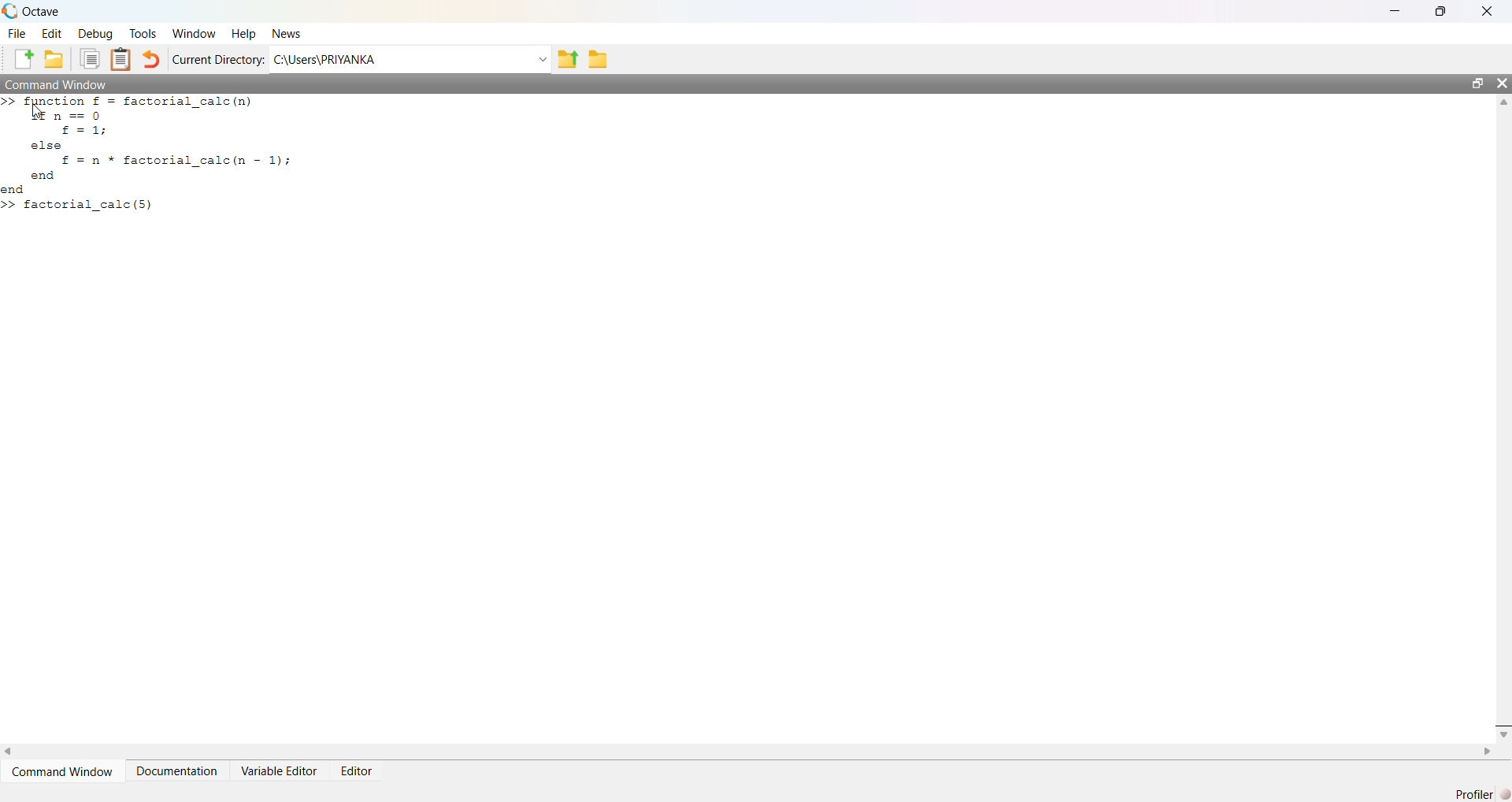 The width and height of the screenshot is (1512, 802). Describe the element at coordinates (195, 33) in the screenshot. I see `window` at that location.